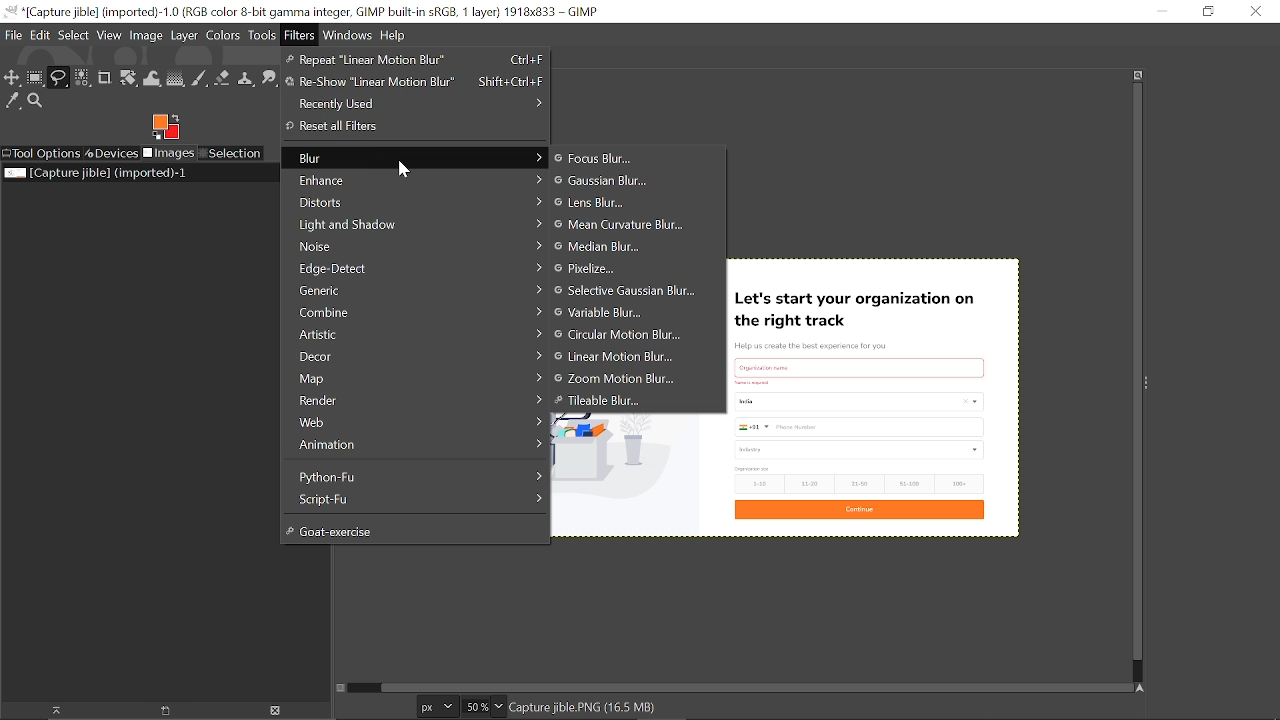 The width and height of the screenshot is (1280, 720). Describe the element at coordinates (262, 36) in the screenshot. I see `Tools` at that location.